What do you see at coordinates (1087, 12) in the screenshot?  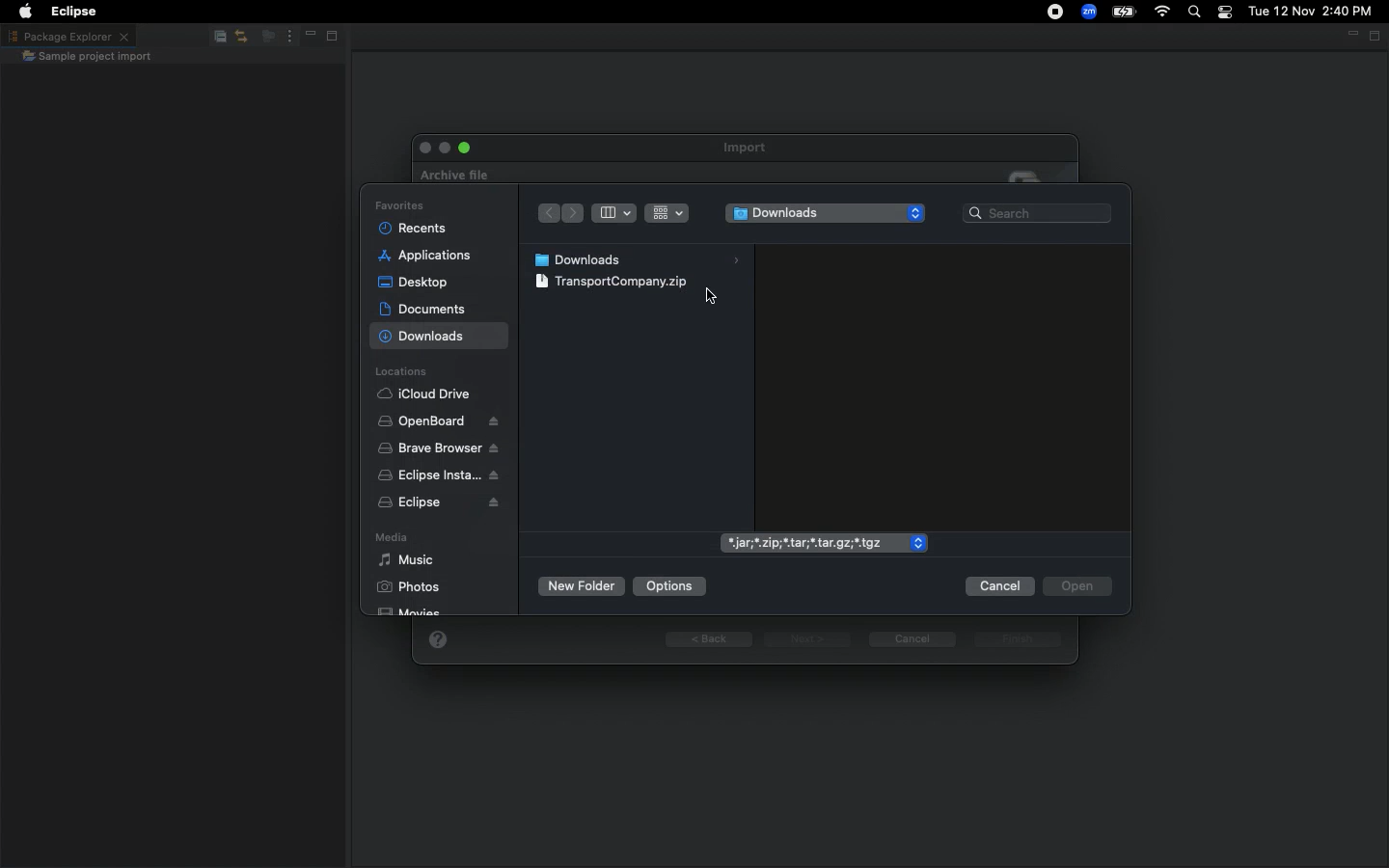 I see `Zoom` at bounding box center [1087, 12].